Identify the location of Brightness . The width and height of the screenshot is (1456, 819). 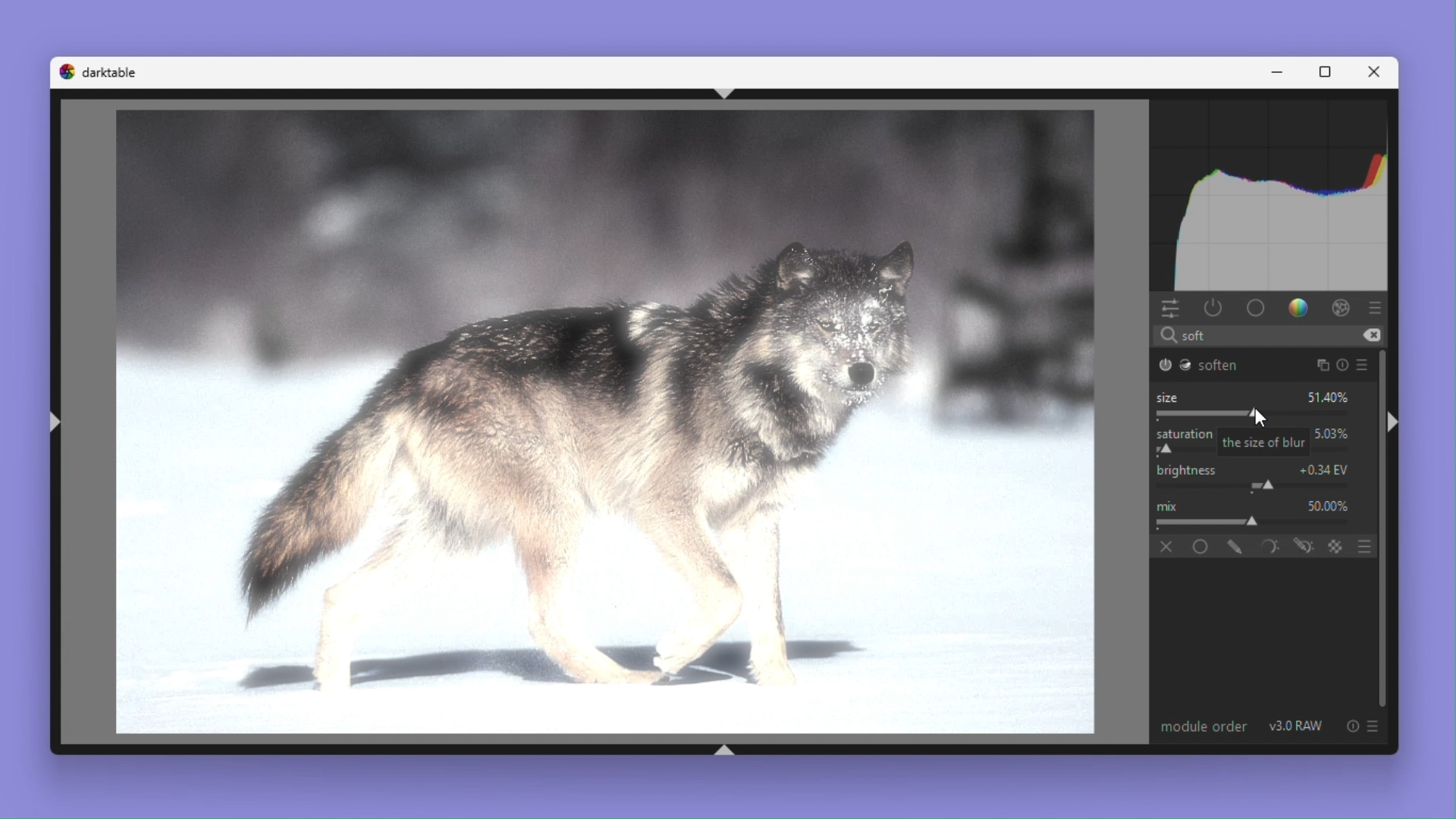
(1186, 469).